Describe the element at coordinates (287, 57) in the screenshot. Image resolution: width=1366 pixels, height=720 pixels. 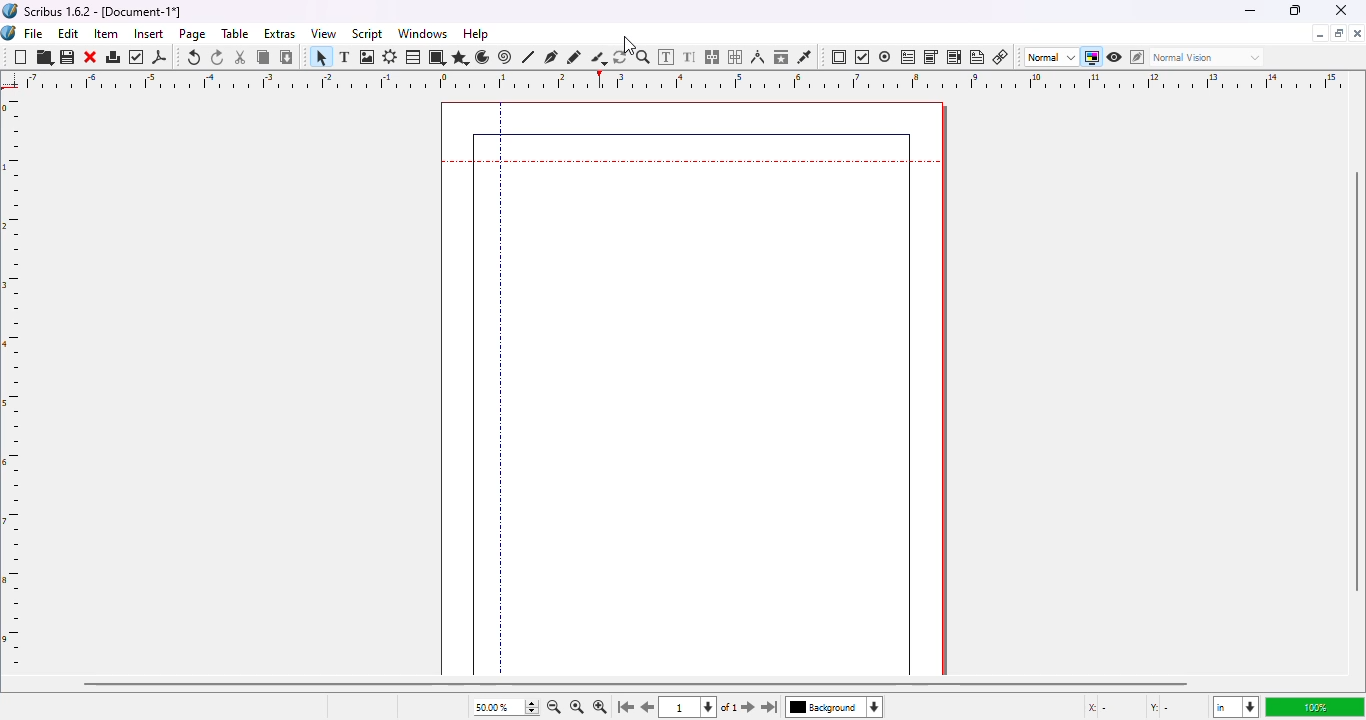
I see `paste` at that location.